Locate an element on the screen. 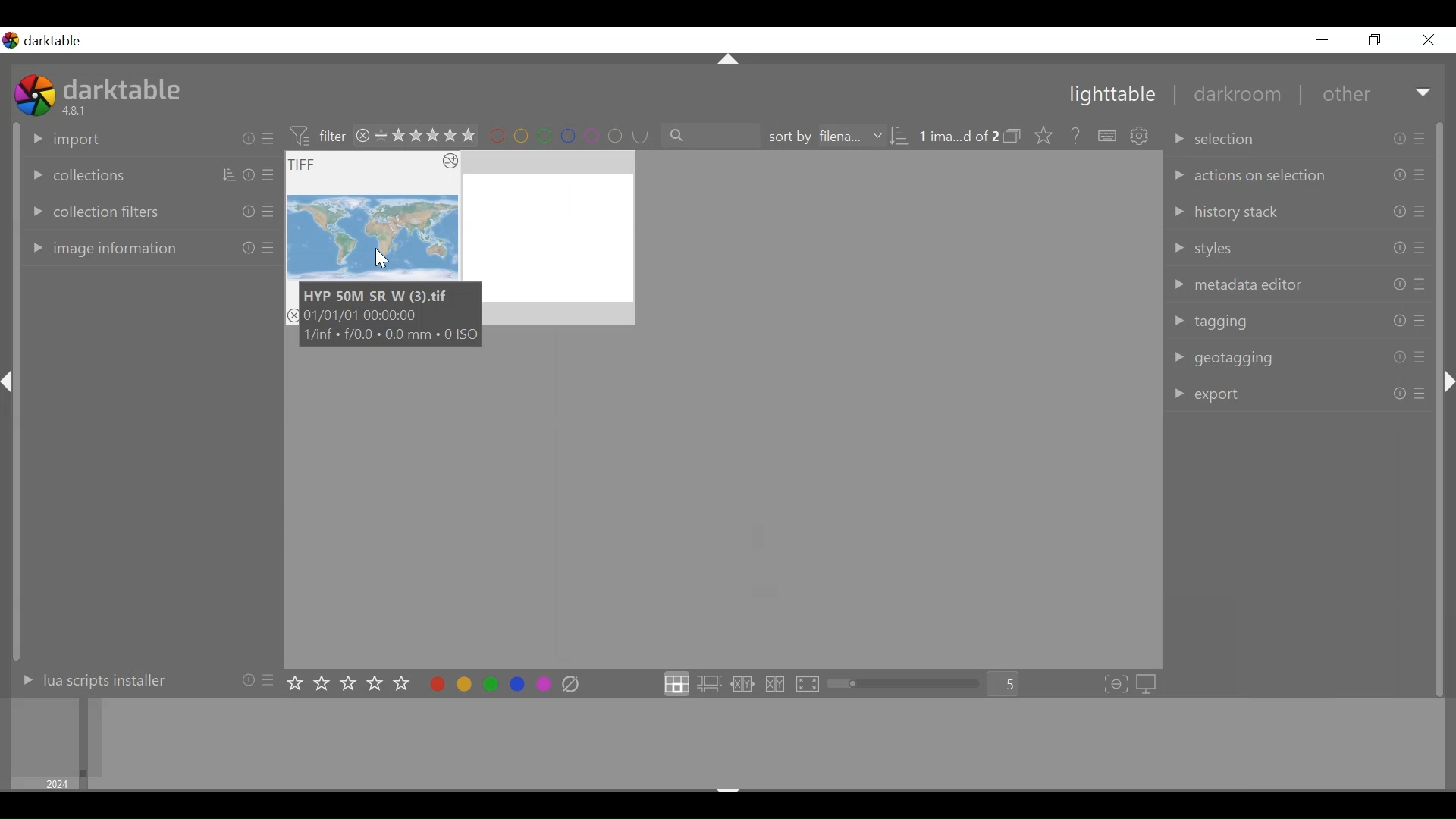  click to change the type of overlays is located at coordinates (1046, 134).